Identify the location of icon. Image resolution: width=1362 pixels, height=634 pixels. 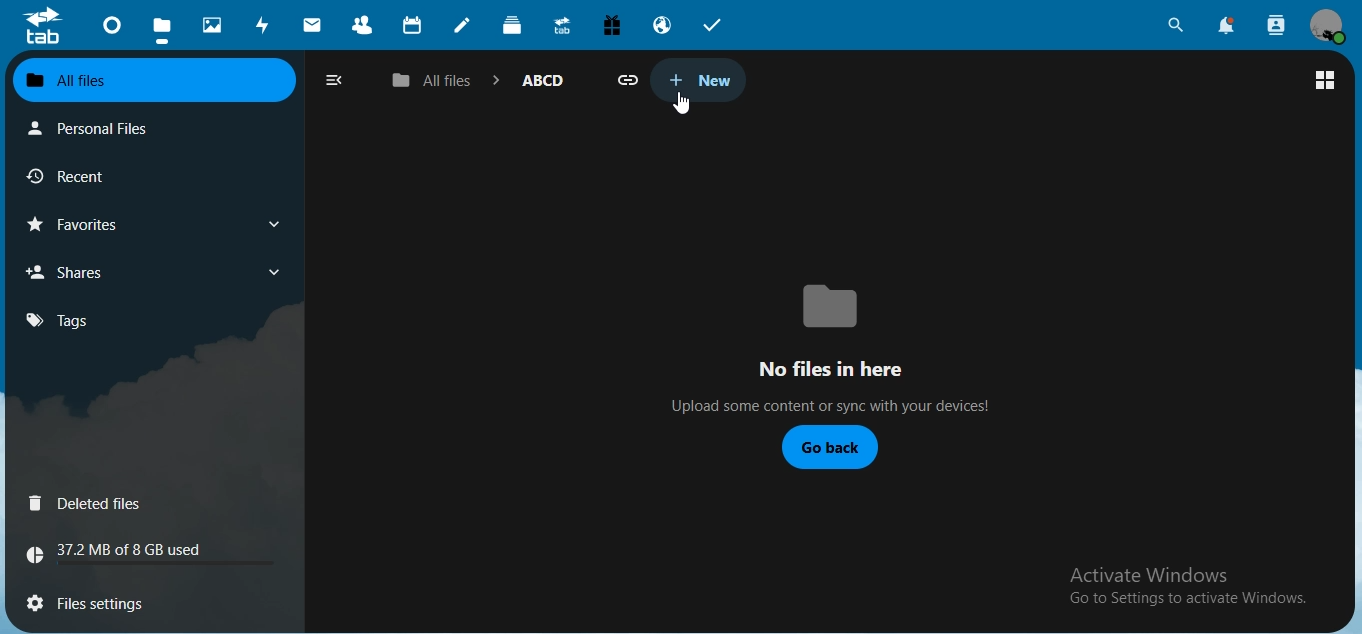
(42, 26).